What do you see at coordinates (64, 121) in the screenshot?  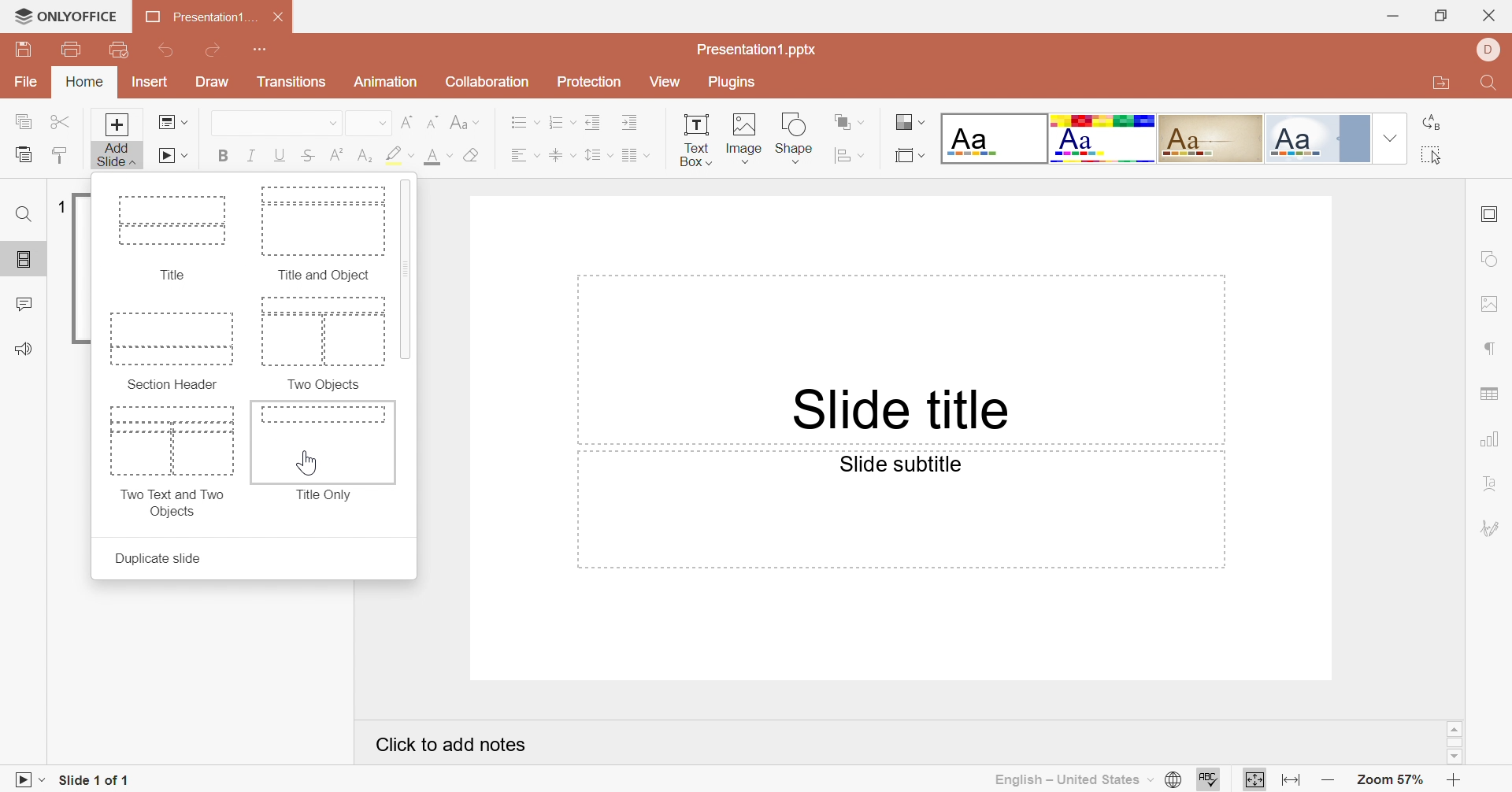 I see `Cut` at bounding box center [64, 121].